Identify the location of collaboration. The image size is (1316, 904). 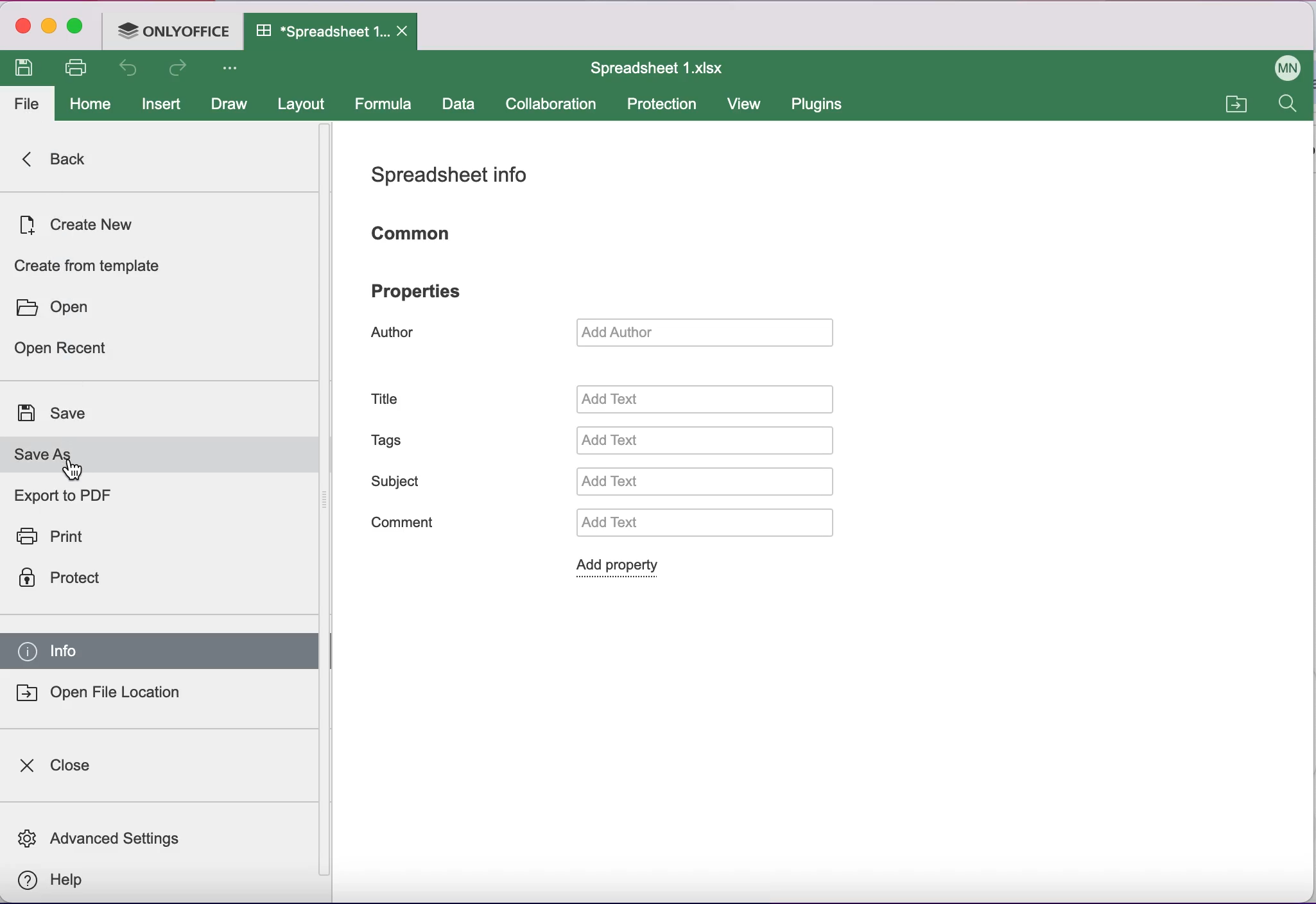
(558, 103).